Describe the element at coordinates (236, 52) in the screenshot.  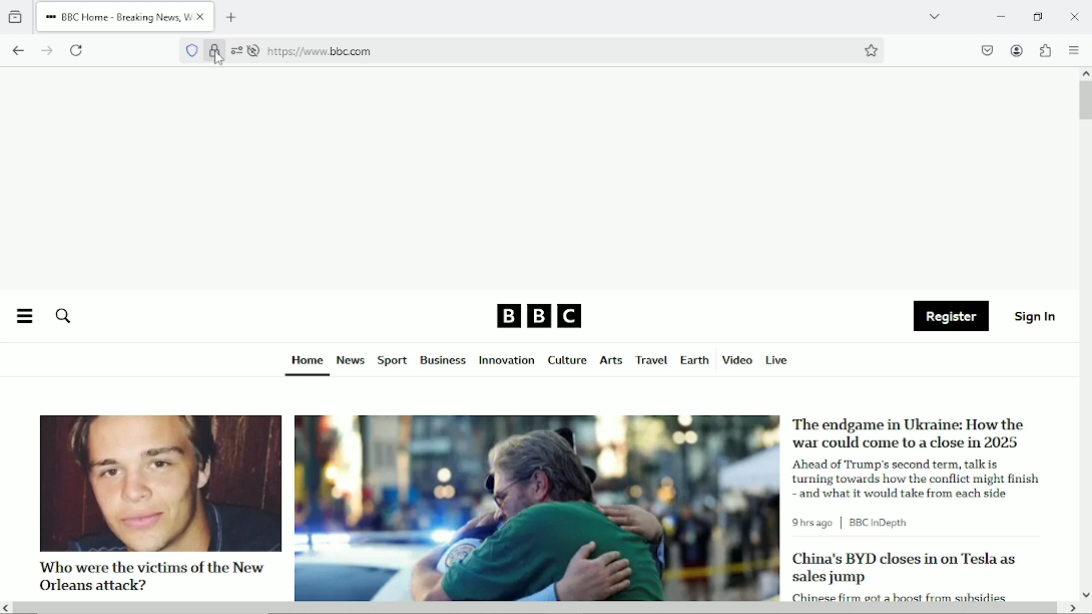
I see `settings` at that location.